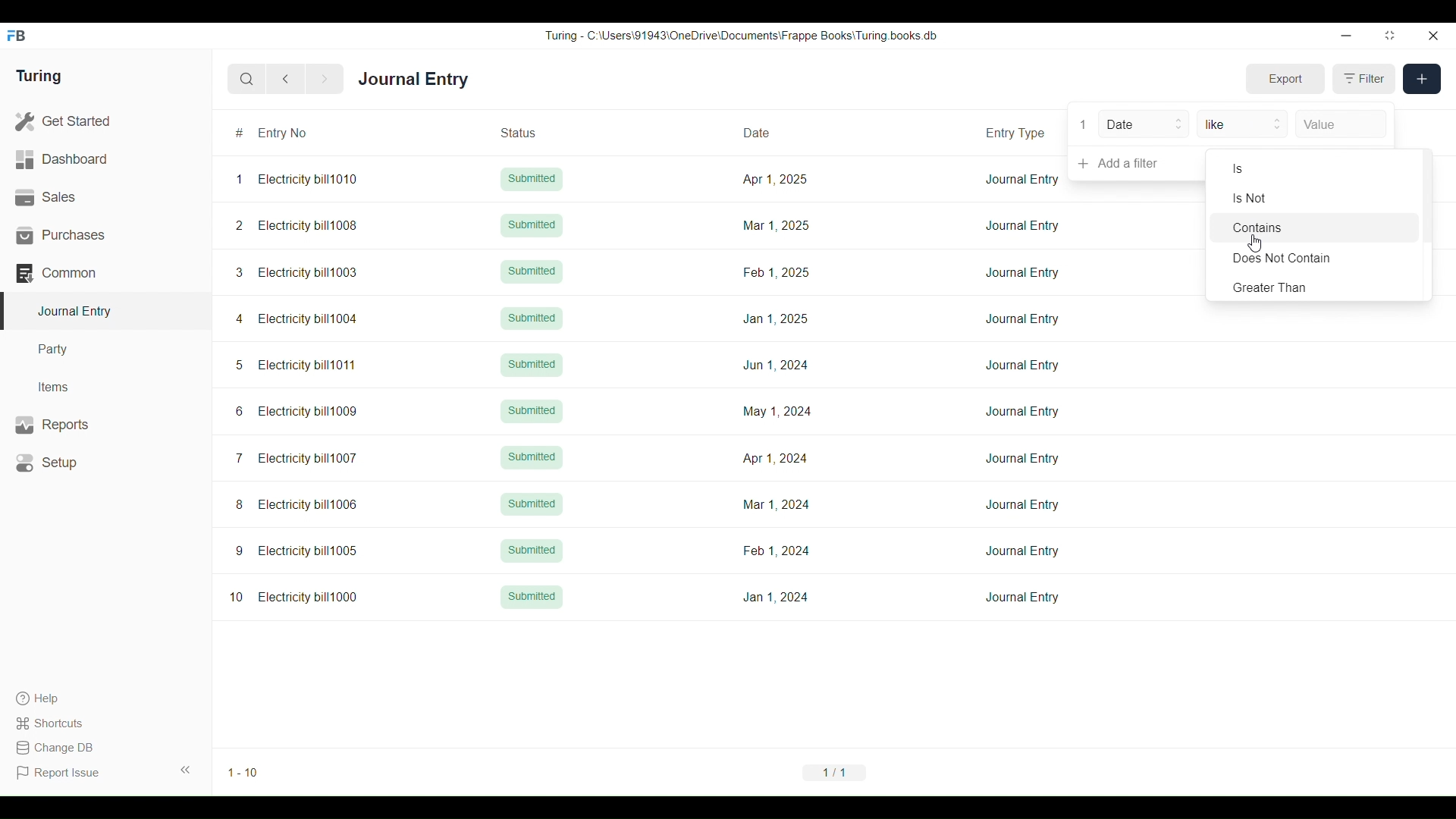 This screenshot has width=1456, height=819. What do you see at coordinates (1022, 179) in the screenshot?
I see `Journal Entry` at bounding box center [1022, 179].